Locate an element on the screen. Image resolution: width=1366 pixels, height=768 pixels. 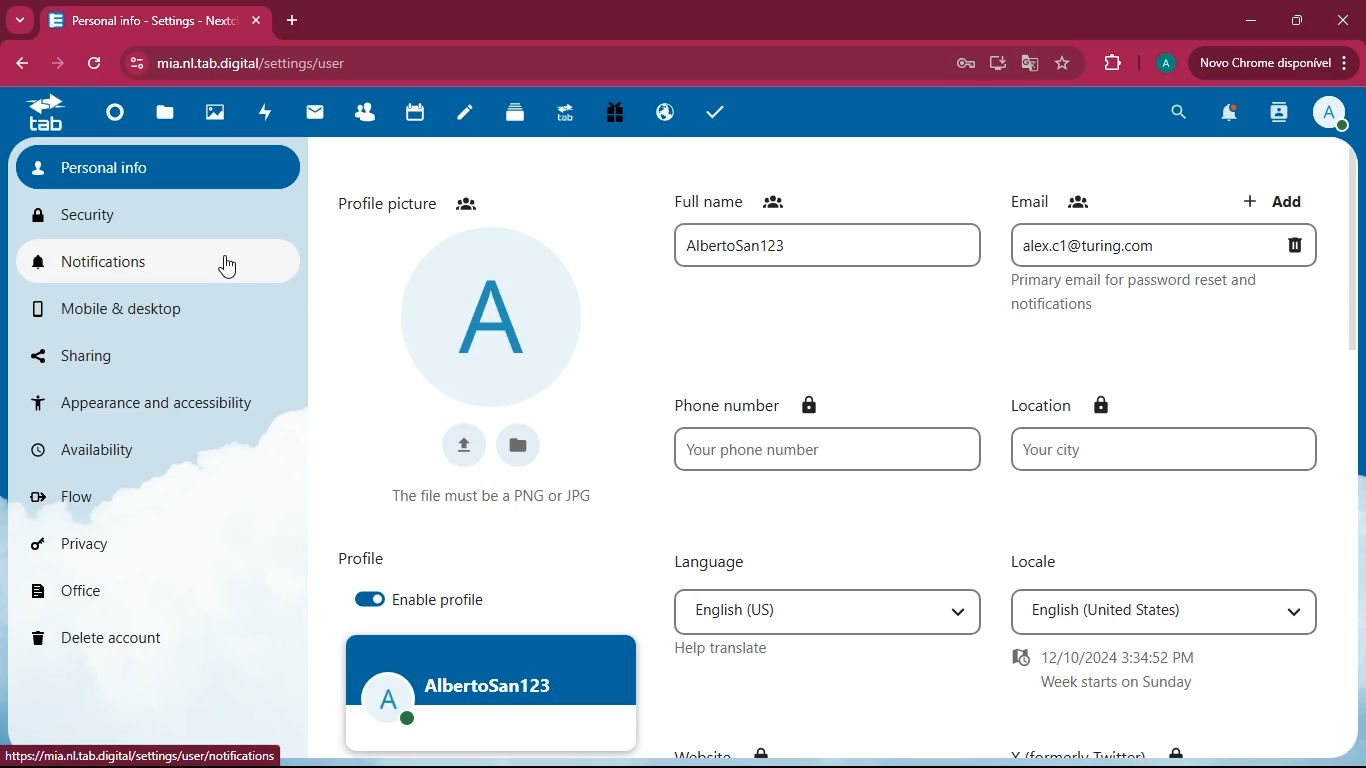
privacy is located at coordinates (126, 549).